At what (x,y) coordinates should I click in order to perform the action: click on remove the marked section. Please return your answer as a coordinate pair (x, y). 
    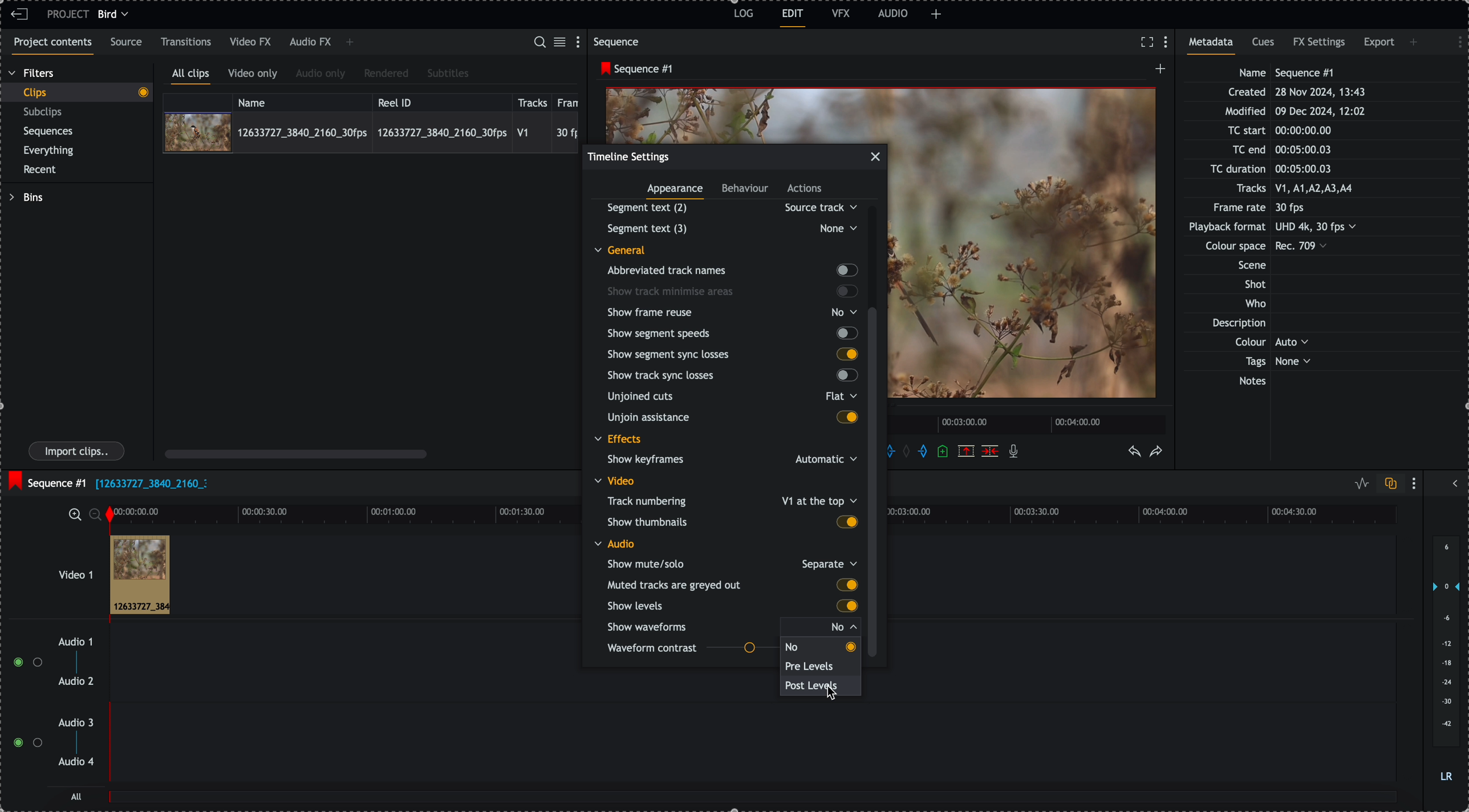
    Looking at the image, I should click on (966, 450).